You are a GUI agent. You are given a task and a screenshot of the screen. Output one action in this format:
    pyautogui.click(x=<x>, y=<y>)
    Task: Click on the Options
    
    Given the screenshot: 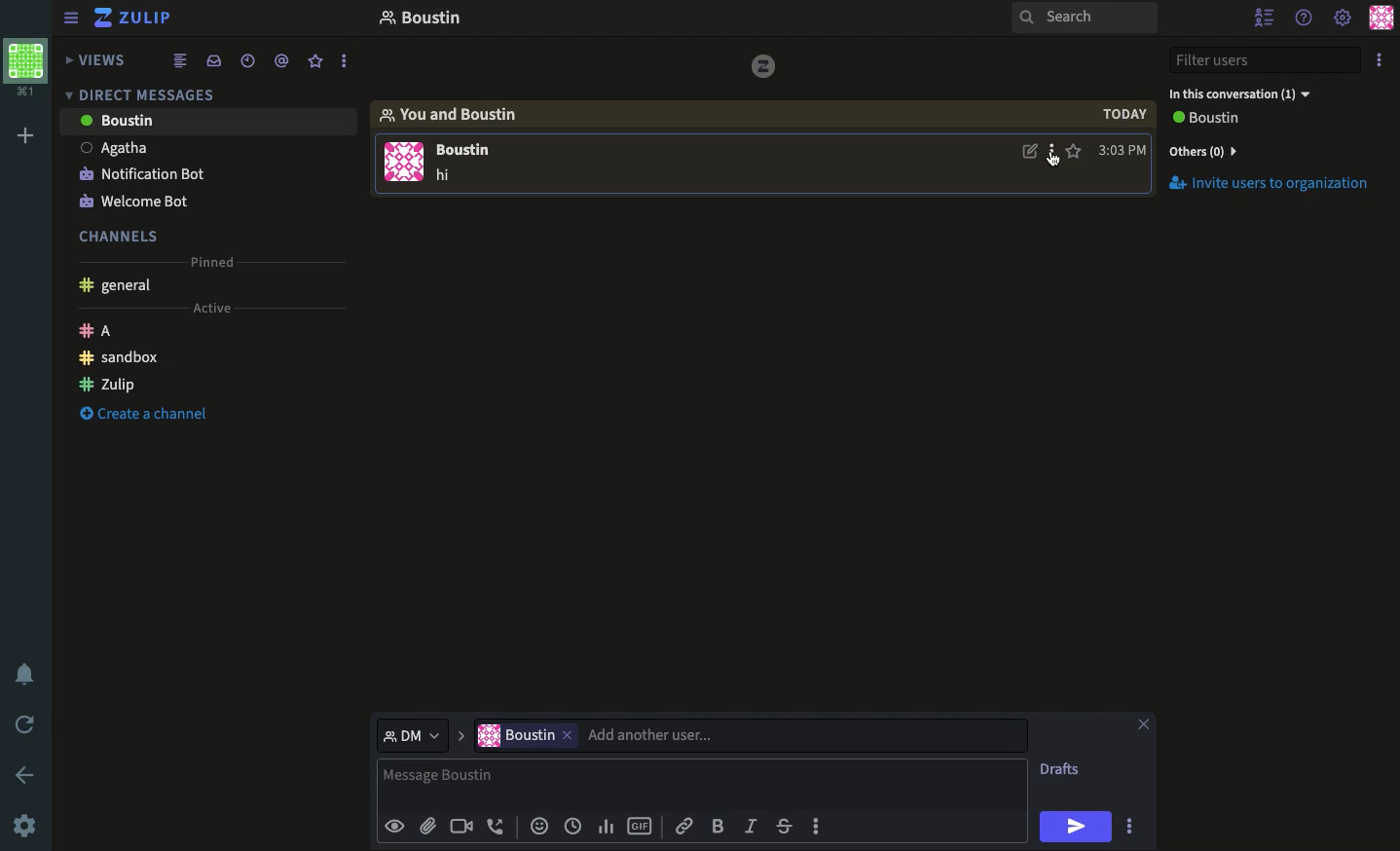 What is the action you would take?
    pyautogui.click(x=816, y=824)
    